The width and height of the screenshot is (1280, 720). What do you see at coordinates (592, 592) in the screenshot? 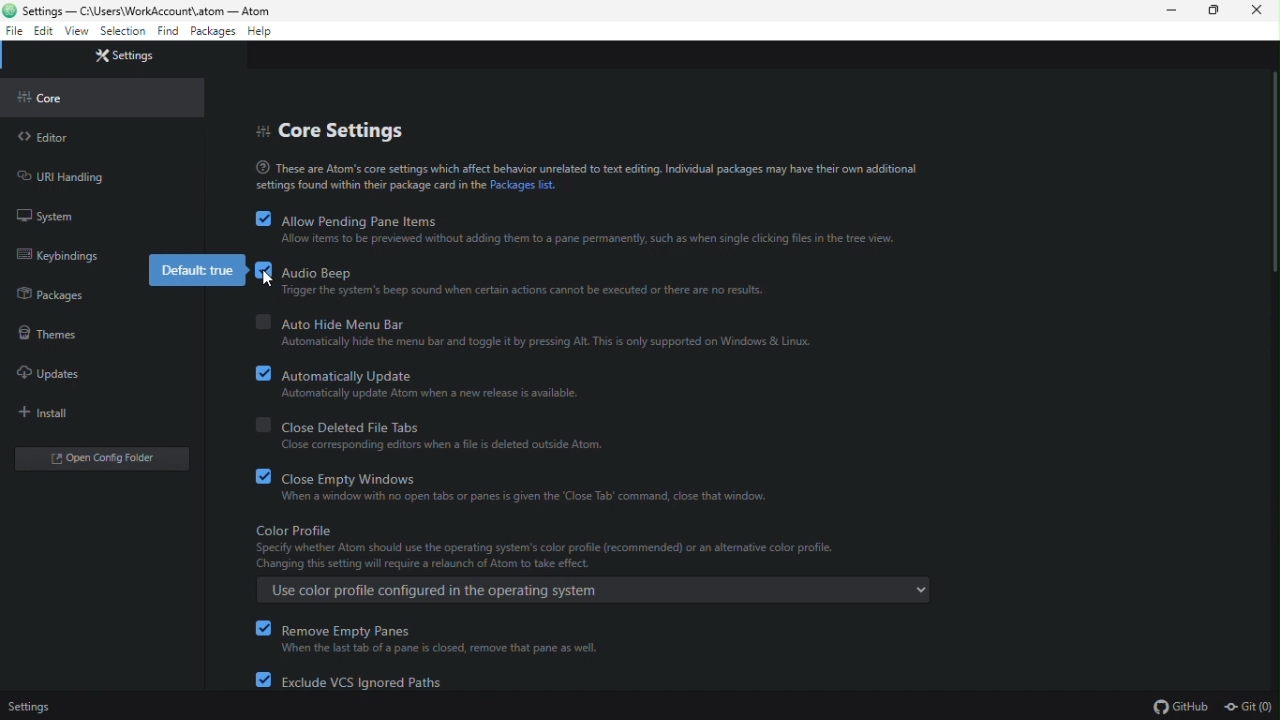
I see `Use color profile configured in the operating system` at bounding box center [592, 592].